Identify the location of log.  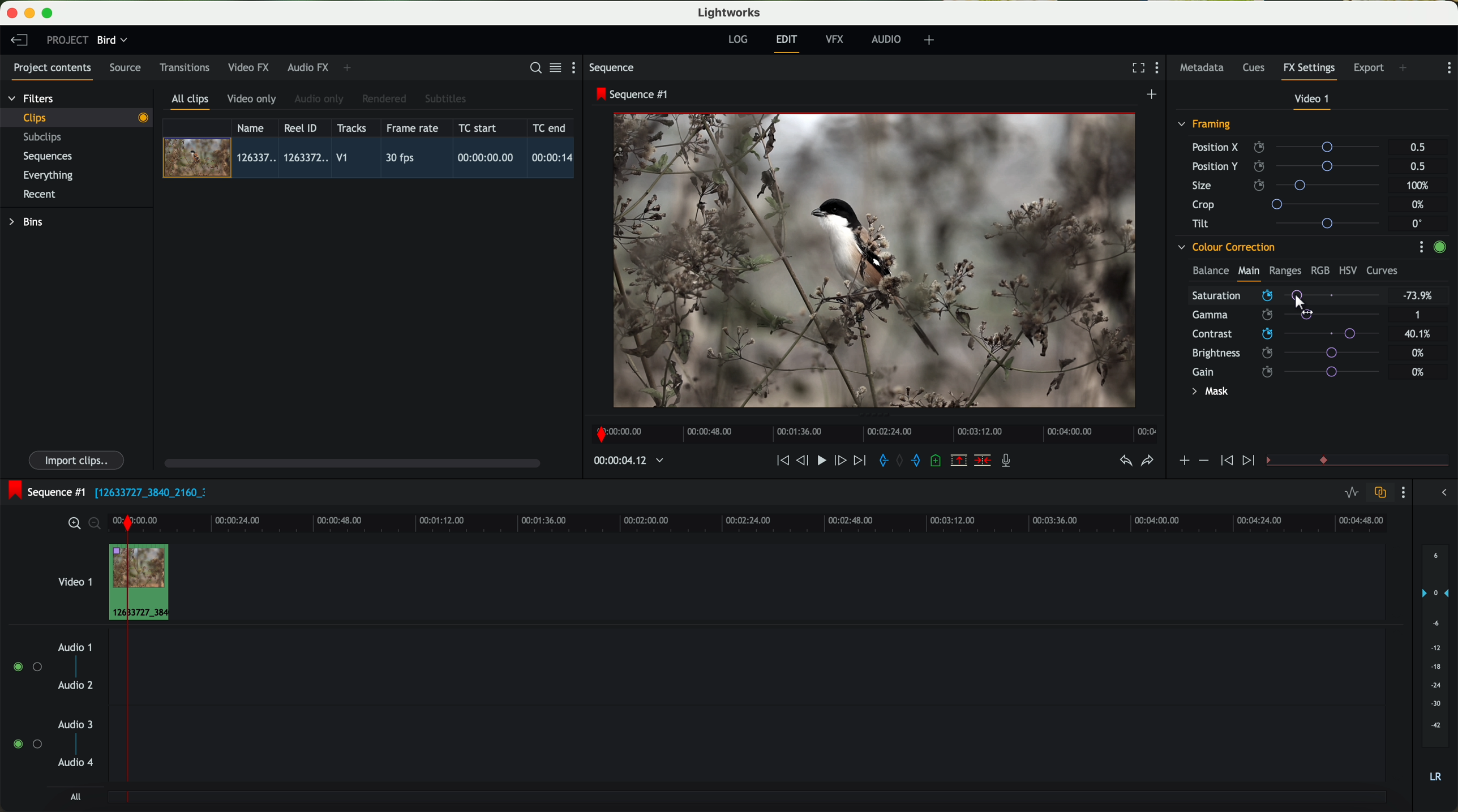
(737, 40).